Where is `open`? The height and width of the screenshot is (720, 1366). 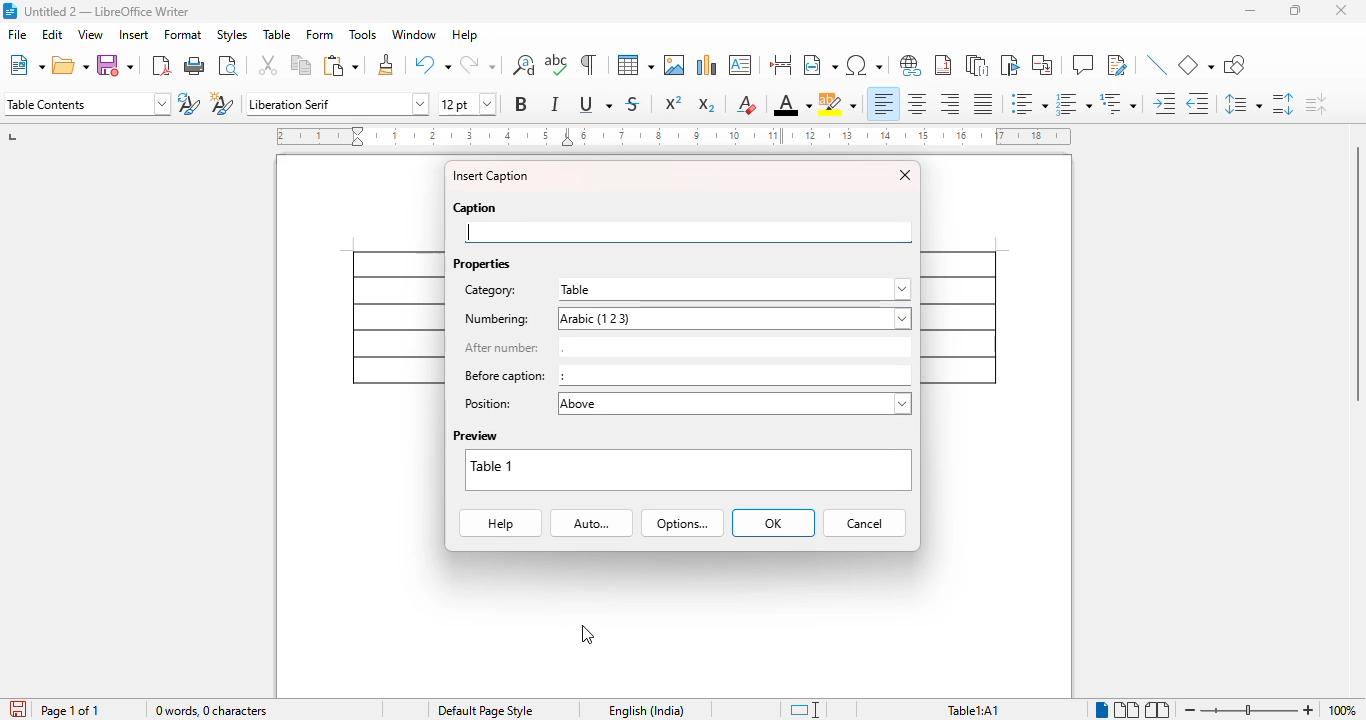 open is located at coordinates (70, 65).